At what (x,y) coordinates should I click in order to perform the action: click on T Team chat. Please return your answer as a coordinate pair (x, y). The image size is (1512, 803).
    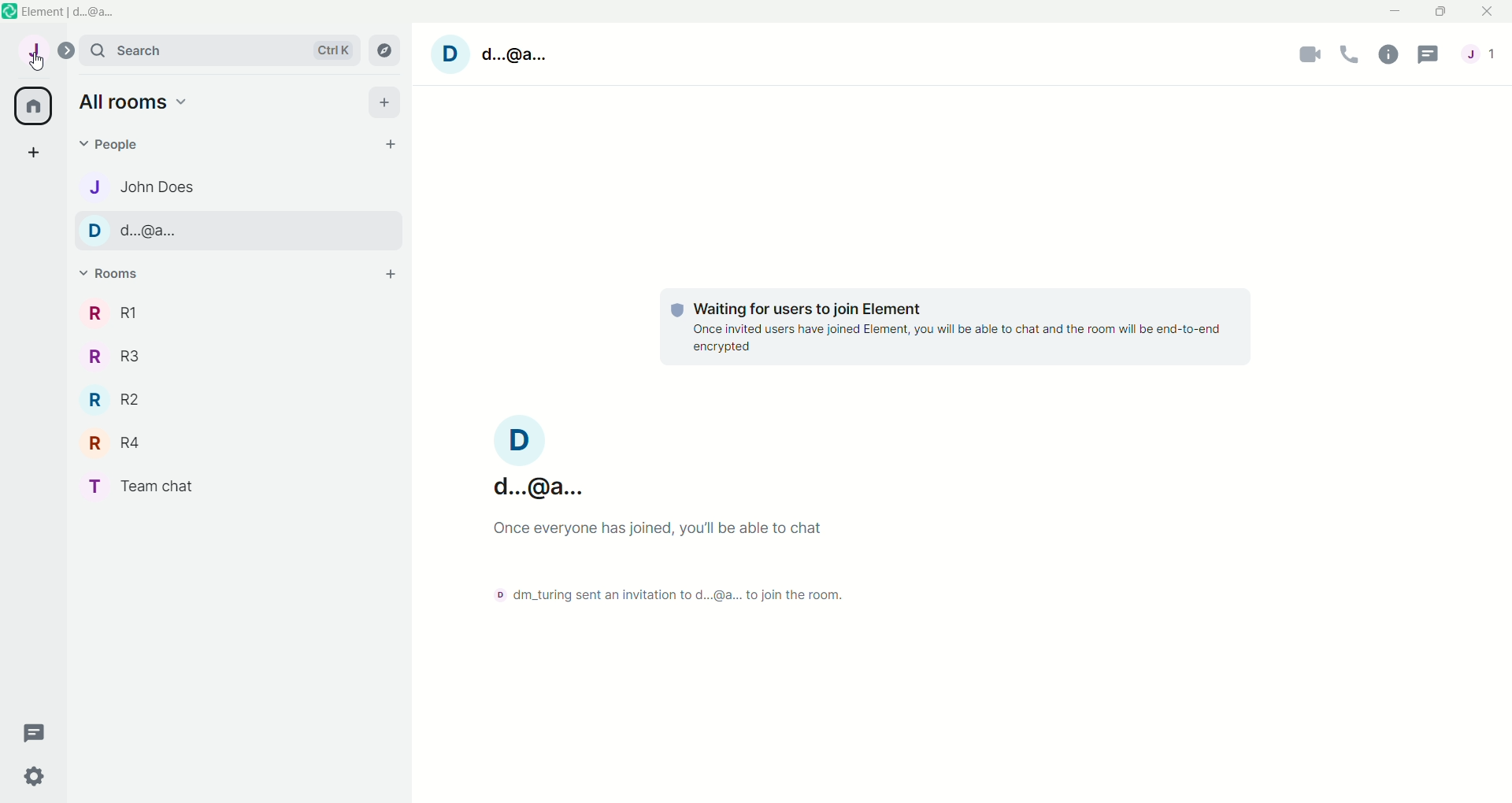
    Looking at the image, I should click on (143, 487).